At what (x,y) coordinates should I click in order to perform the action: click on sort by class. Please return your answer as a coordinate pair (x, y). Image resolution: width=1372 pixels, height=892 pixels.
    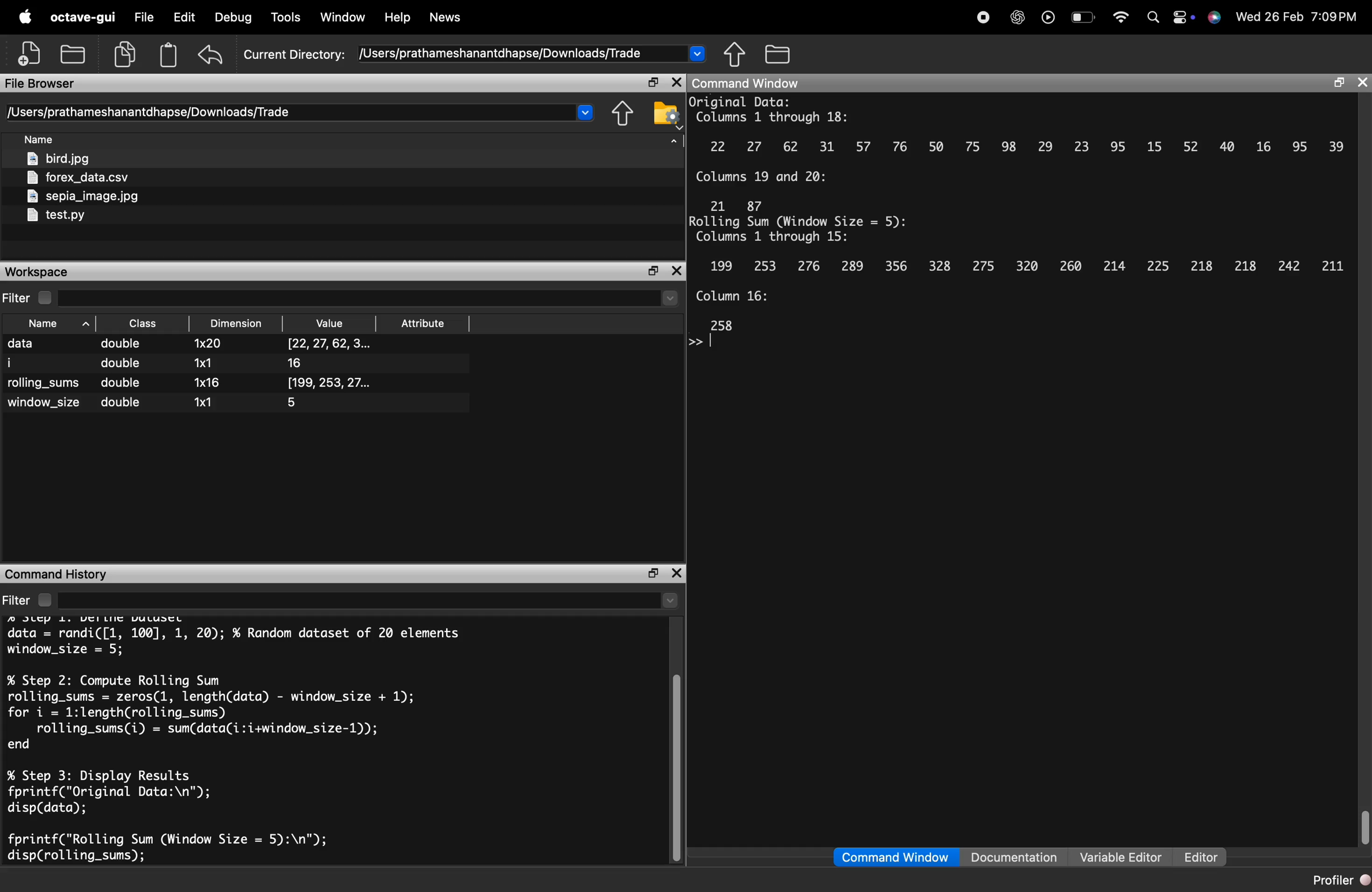
    Looking at the image, I should click on (146, 324).